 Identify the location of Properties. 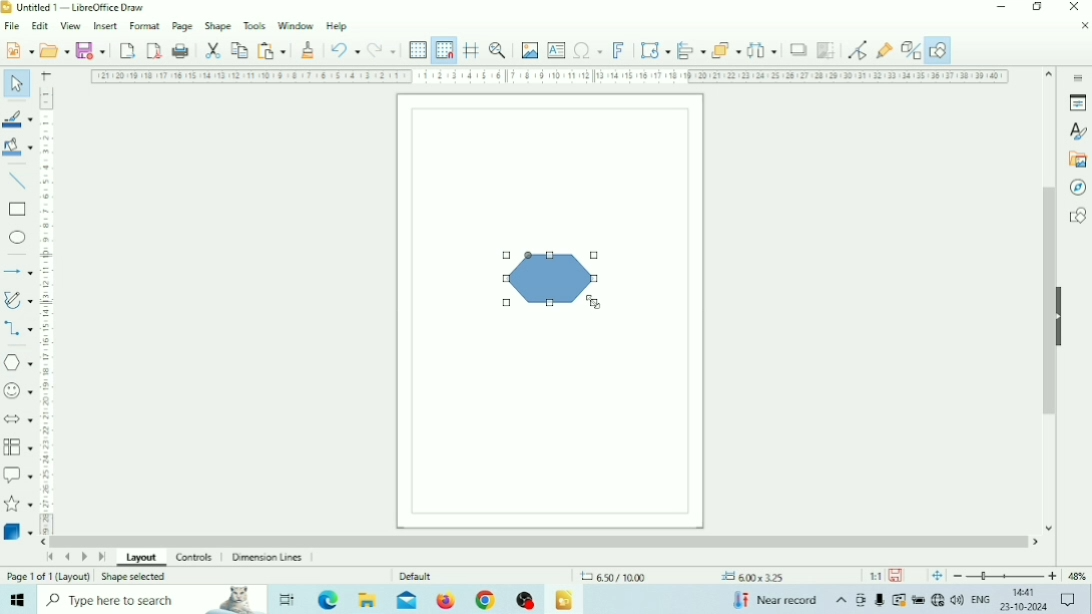
(1078, 103).